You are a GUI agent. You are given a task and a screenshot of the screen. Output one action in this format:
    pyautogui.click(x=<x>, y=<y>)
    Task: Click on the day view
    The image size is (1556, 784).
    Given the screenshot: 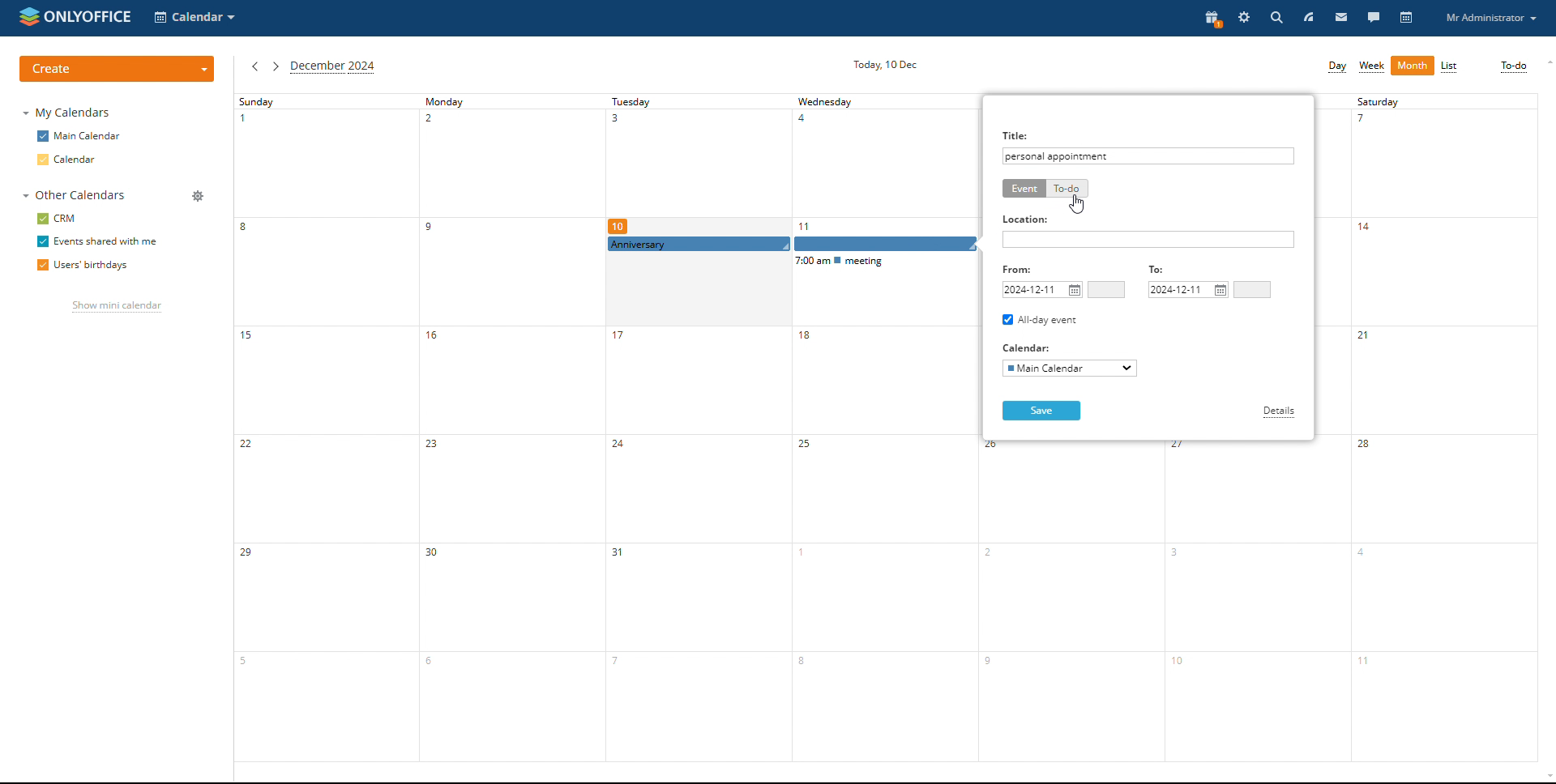 What is the action you would take?
    pyautogui.click(x=1336, y=67)
    